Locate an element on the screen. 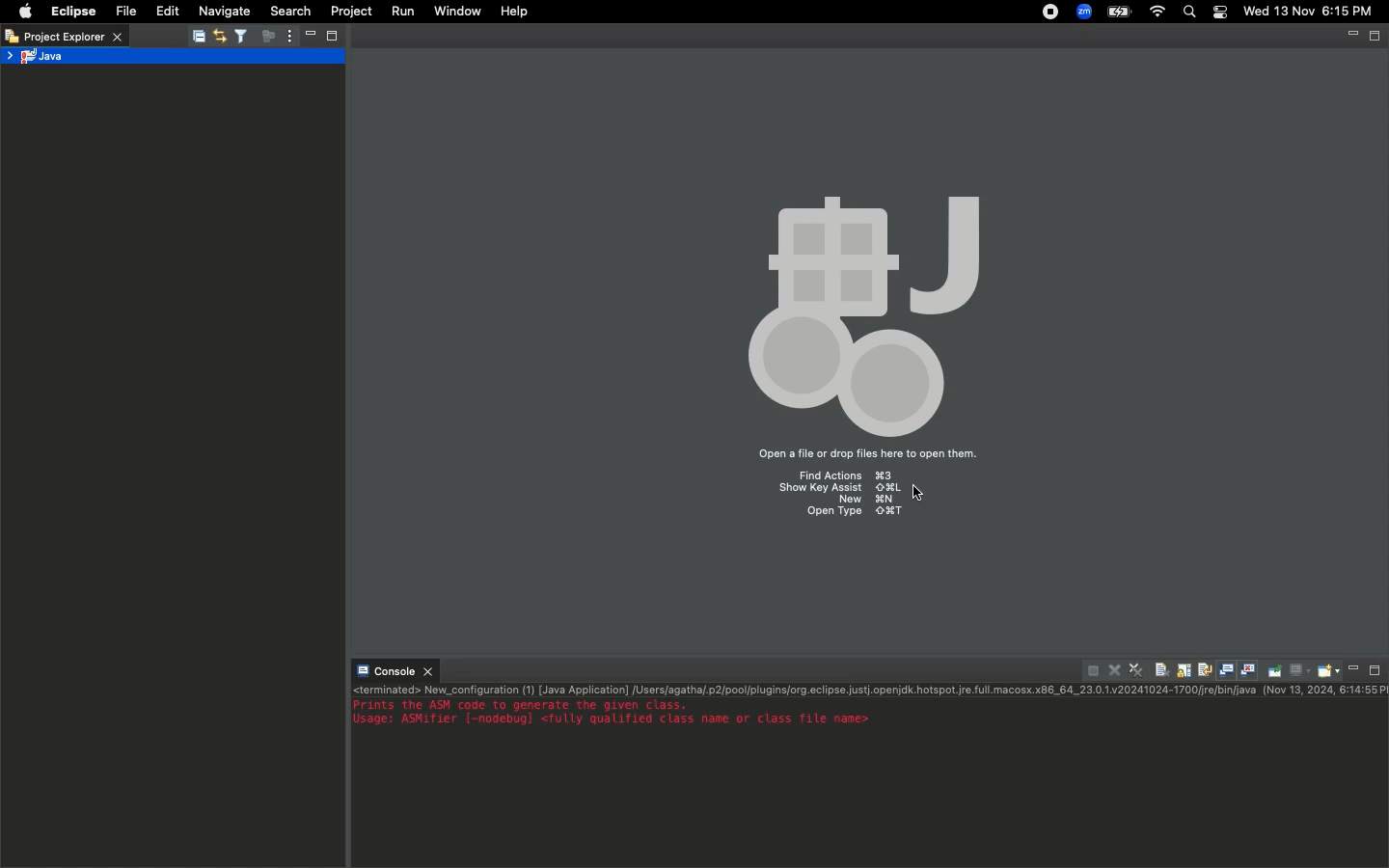  Remove launch is located at coordinates (1119, 671).